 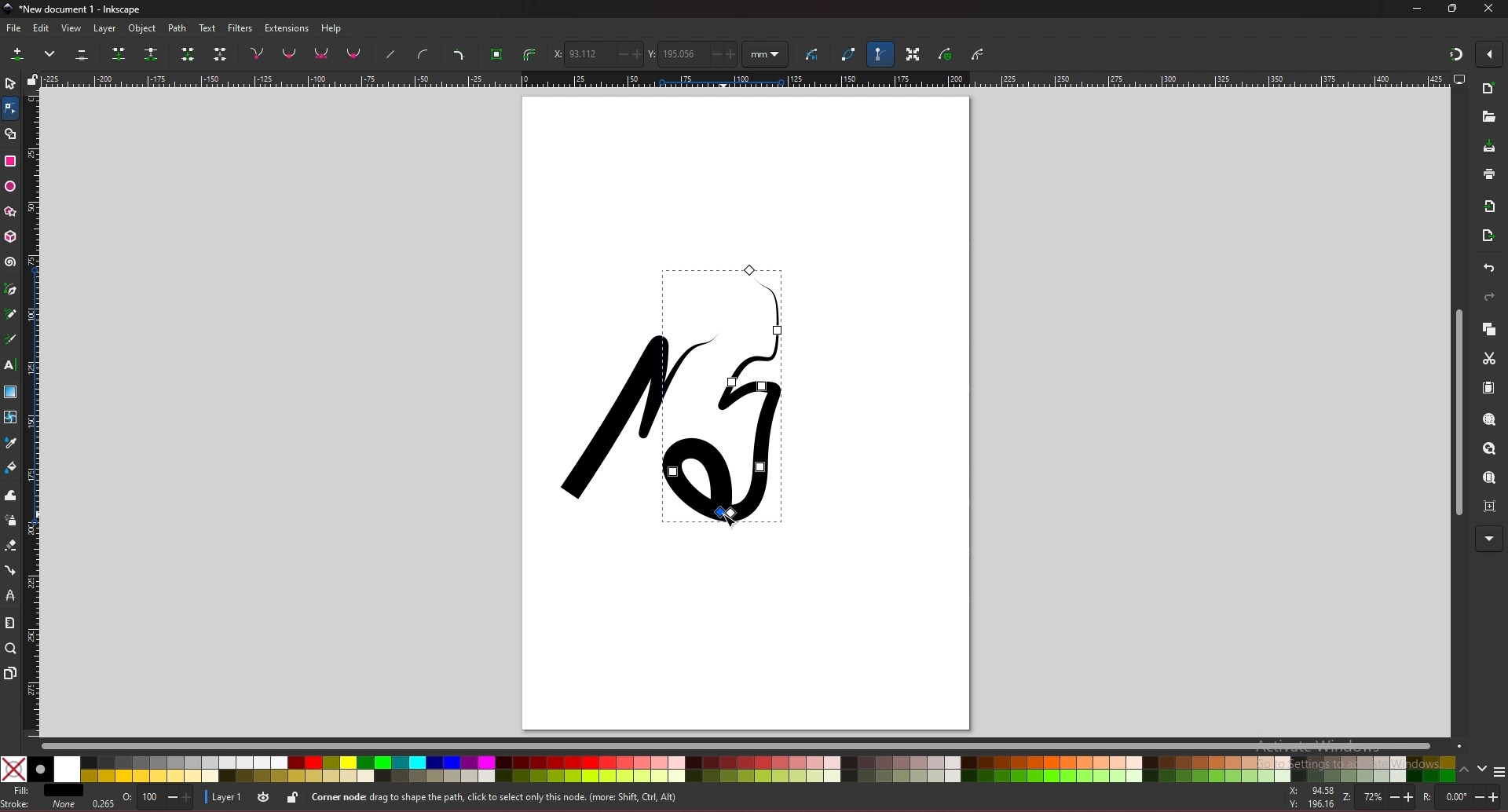 What do you see at coordinates (1377, 797) in the screenshot?
I see `zoom` at bounding box center [1377, 797].